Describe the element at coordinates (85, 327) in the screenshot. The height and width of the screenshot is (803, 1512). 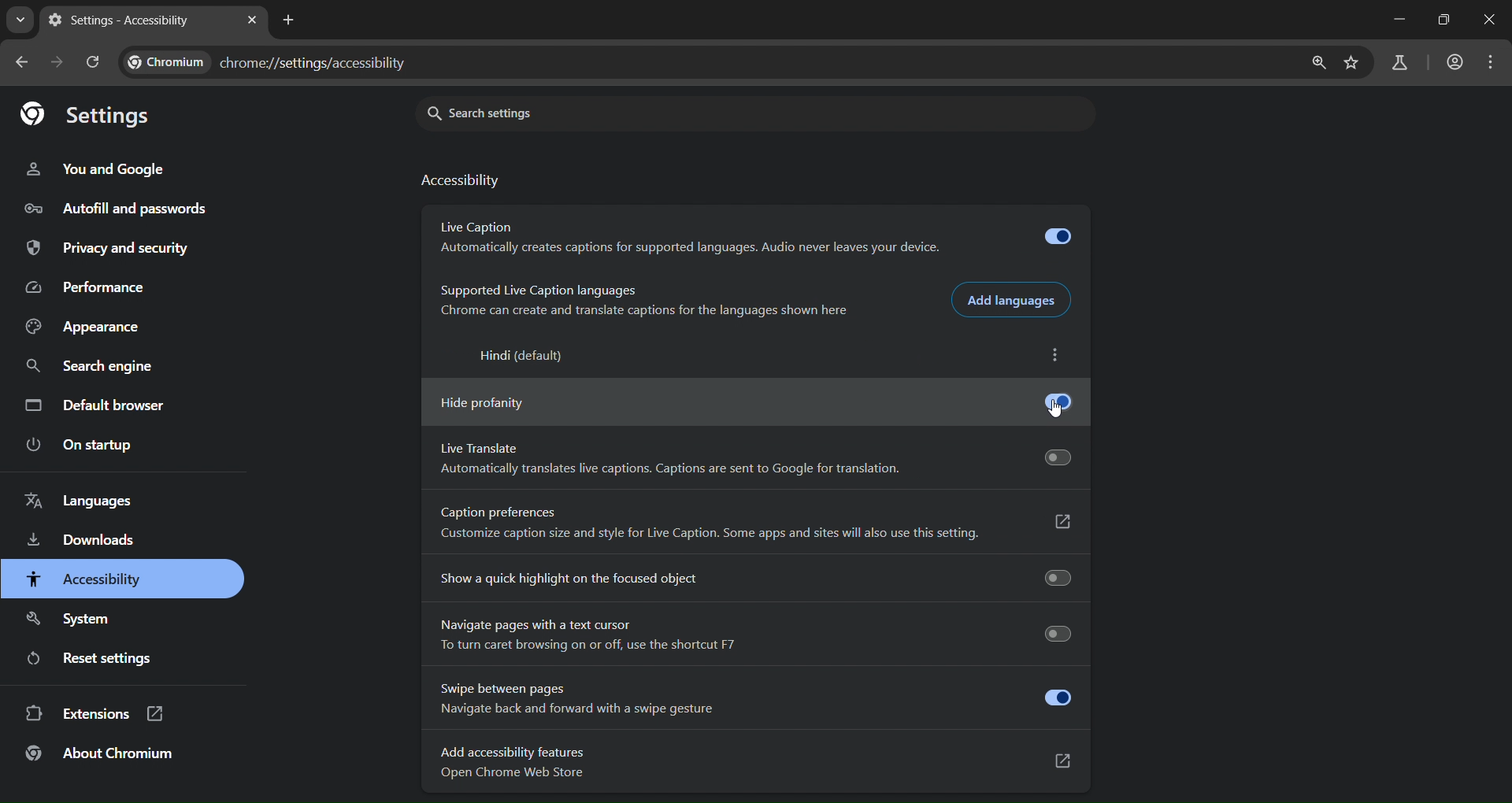
I see `appearance` at that location.